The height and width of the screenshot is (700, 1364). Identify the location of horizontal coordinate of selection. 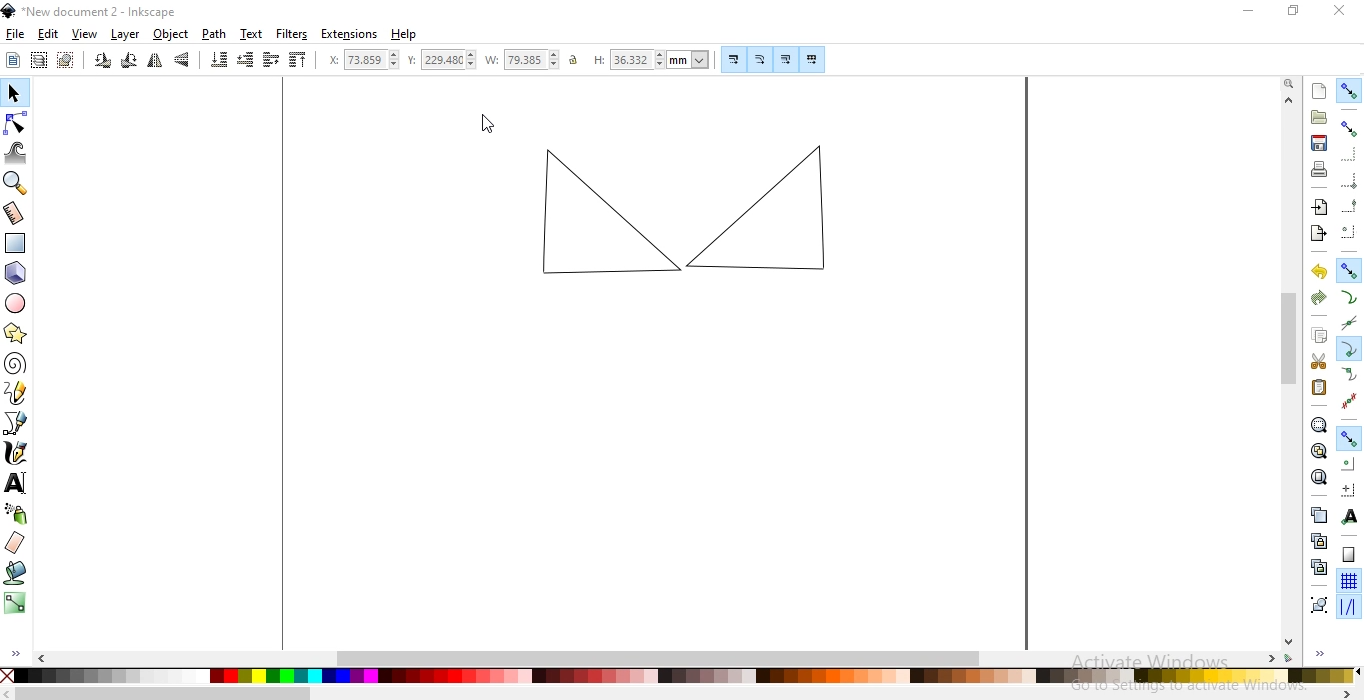
(365, 59).